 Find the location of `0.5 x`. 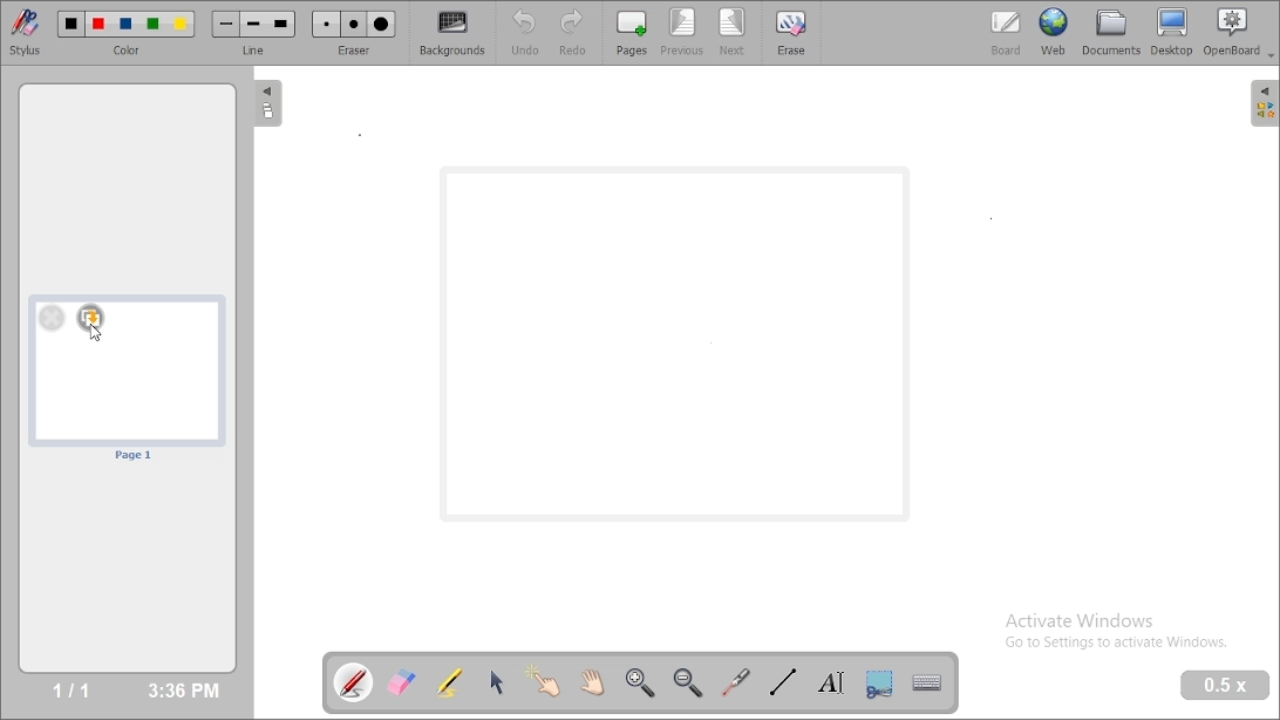

0.5 x is located at coordinates (1226, 686).